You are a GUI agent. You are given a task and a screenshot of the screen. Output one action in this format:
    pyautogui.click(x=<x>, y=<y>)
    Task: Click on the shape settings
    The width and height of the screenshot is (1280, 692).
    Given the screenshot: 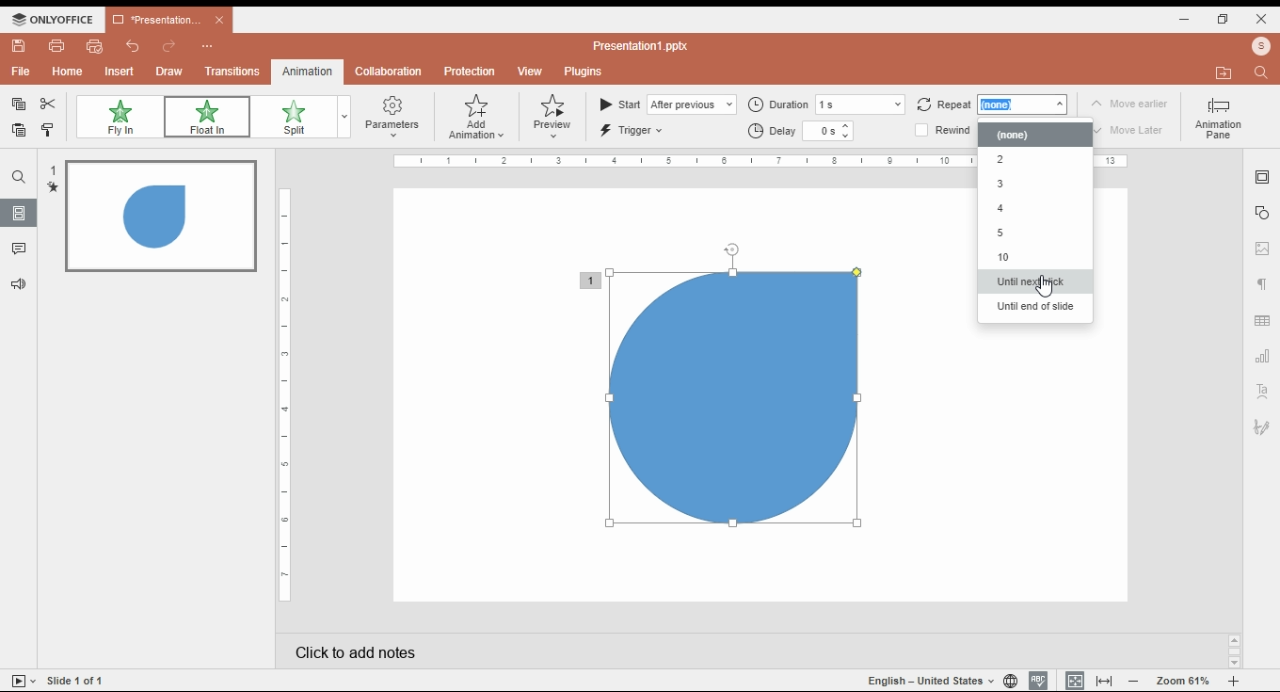 What is the action you would take?
    pyautogui.click(x=1261, y=215)
    